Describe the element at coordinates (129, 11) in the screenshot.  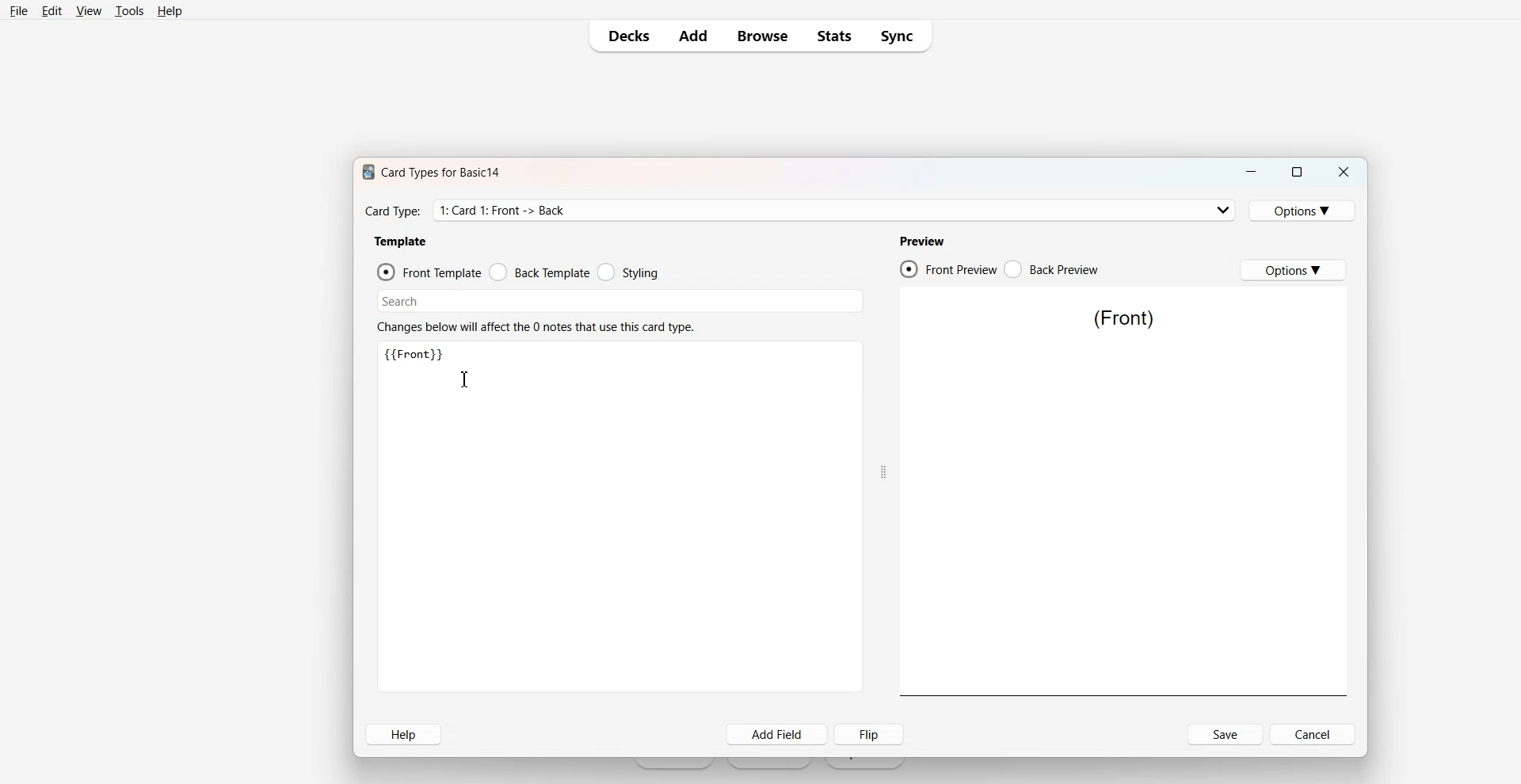
I see `Tools` at that location.